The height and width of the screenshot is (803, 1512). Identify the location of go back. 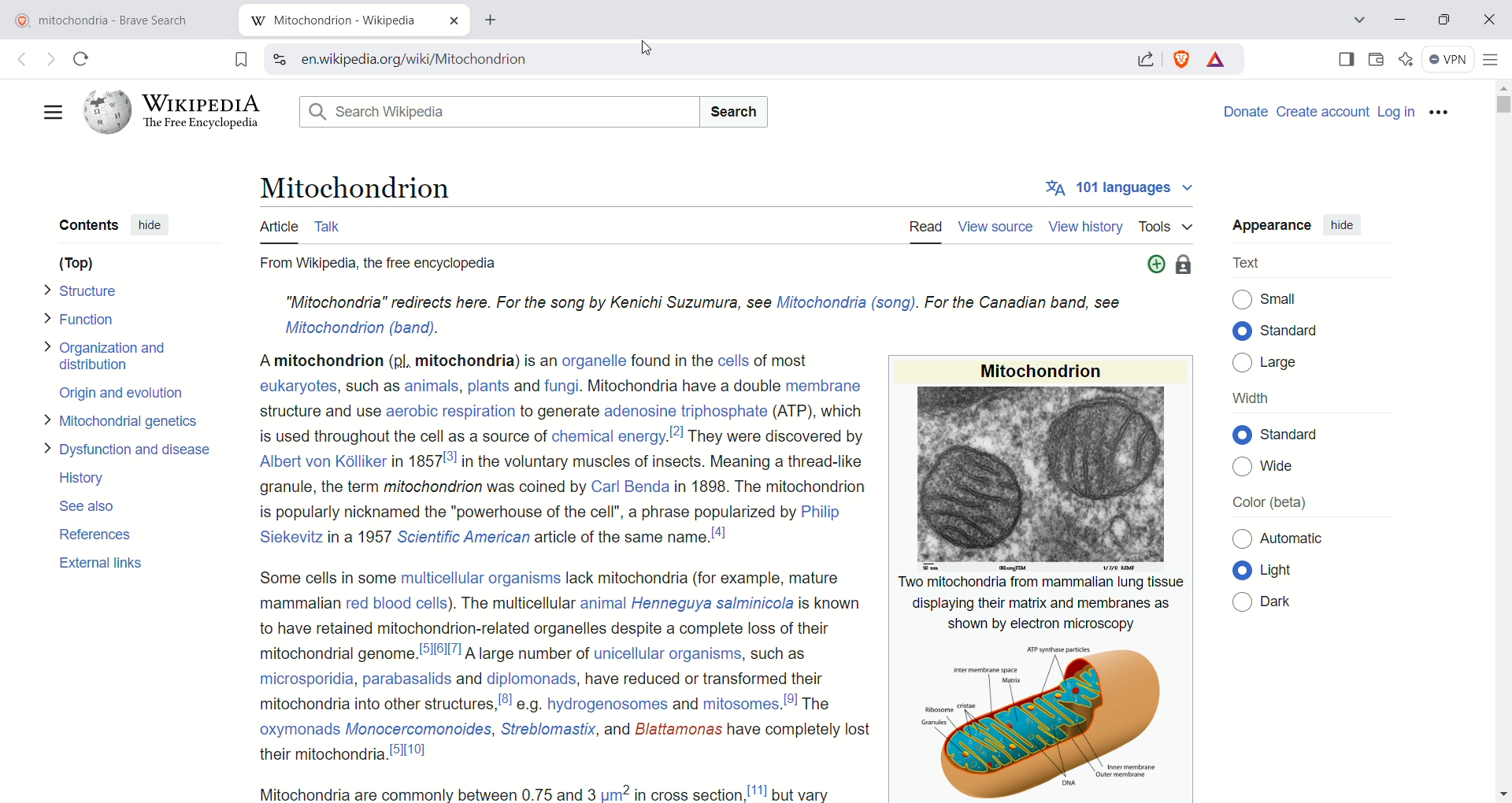
(20, 58).